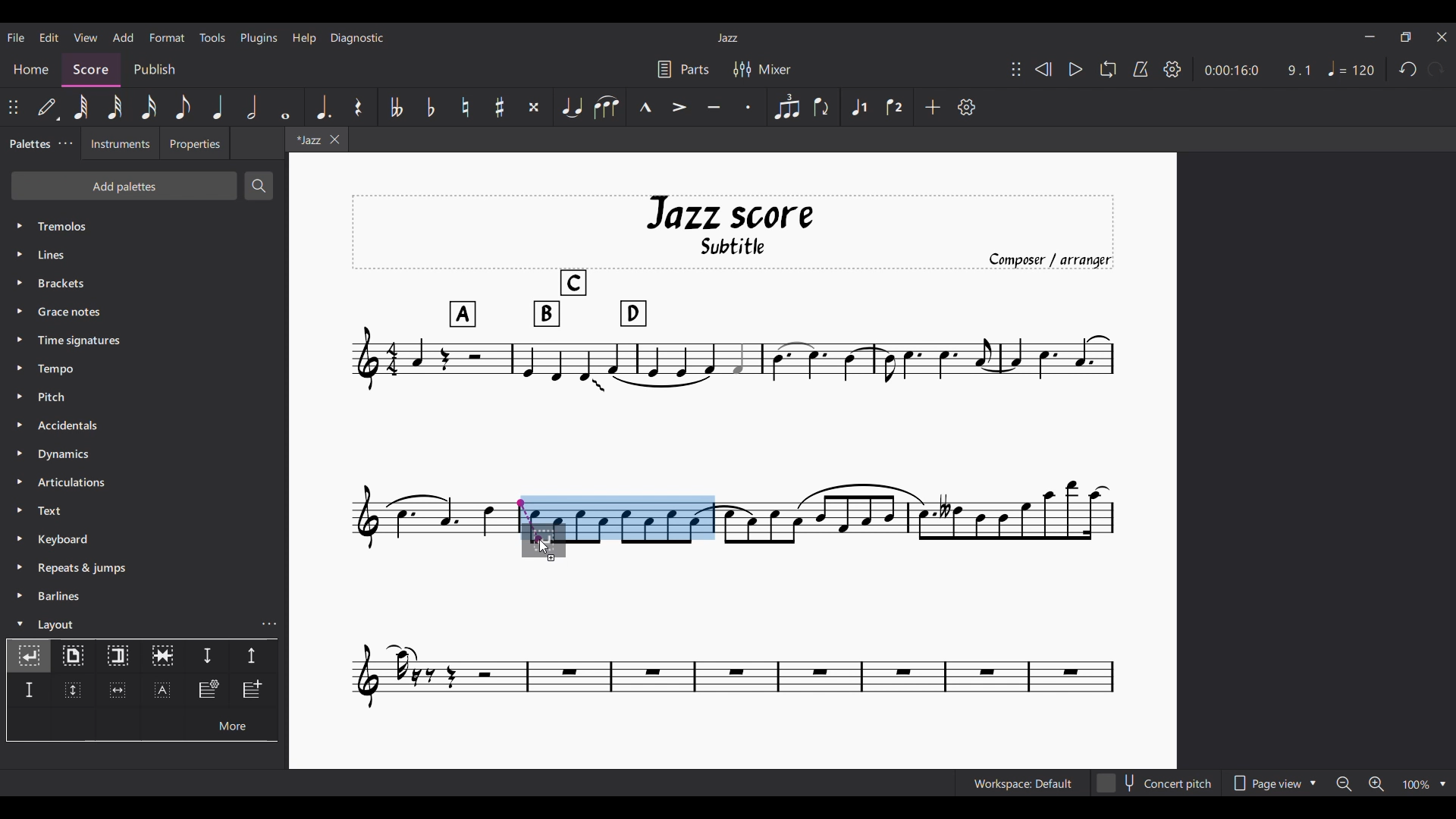  Describe the element at coordinates (118, 657) in the screenshot. I see `Section break` at that location.